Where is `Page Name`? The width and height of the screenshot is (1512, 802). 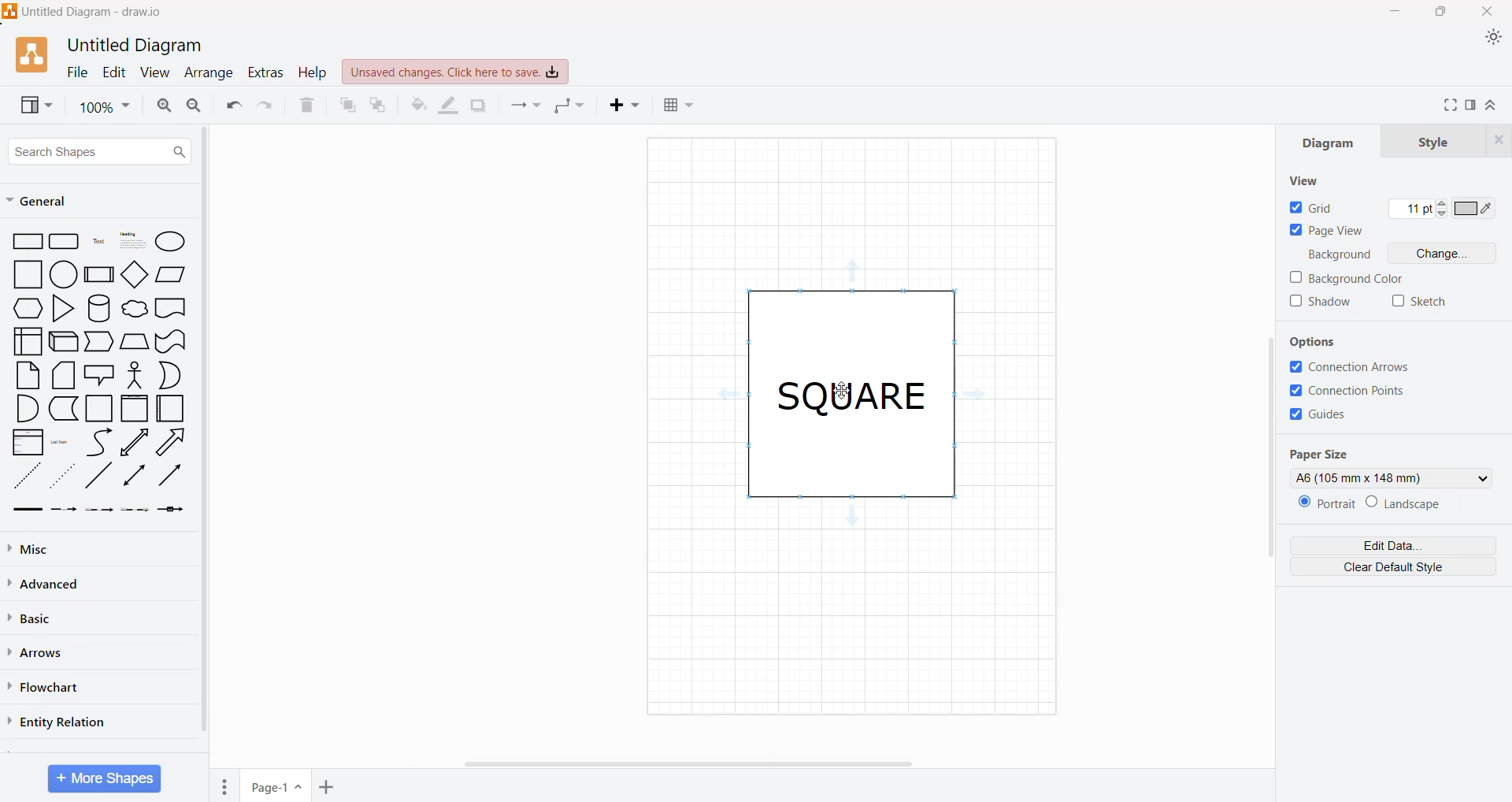 Page Name is located at coordinates (276, 787).